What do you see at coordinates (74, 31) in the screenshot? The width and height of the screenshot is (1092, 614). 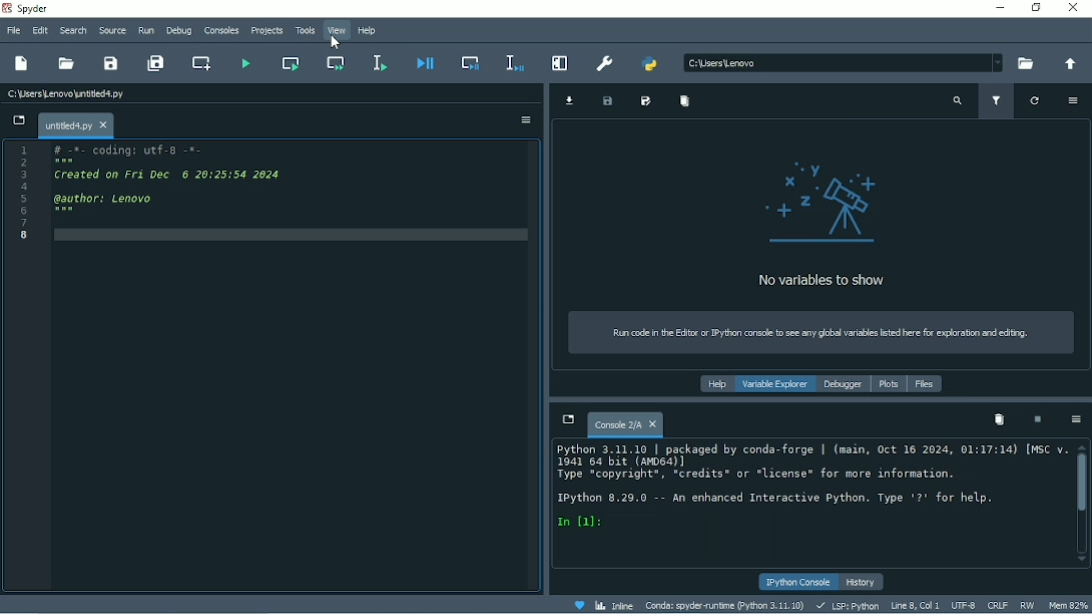 I see `Search` at bounding box center [74, 31].